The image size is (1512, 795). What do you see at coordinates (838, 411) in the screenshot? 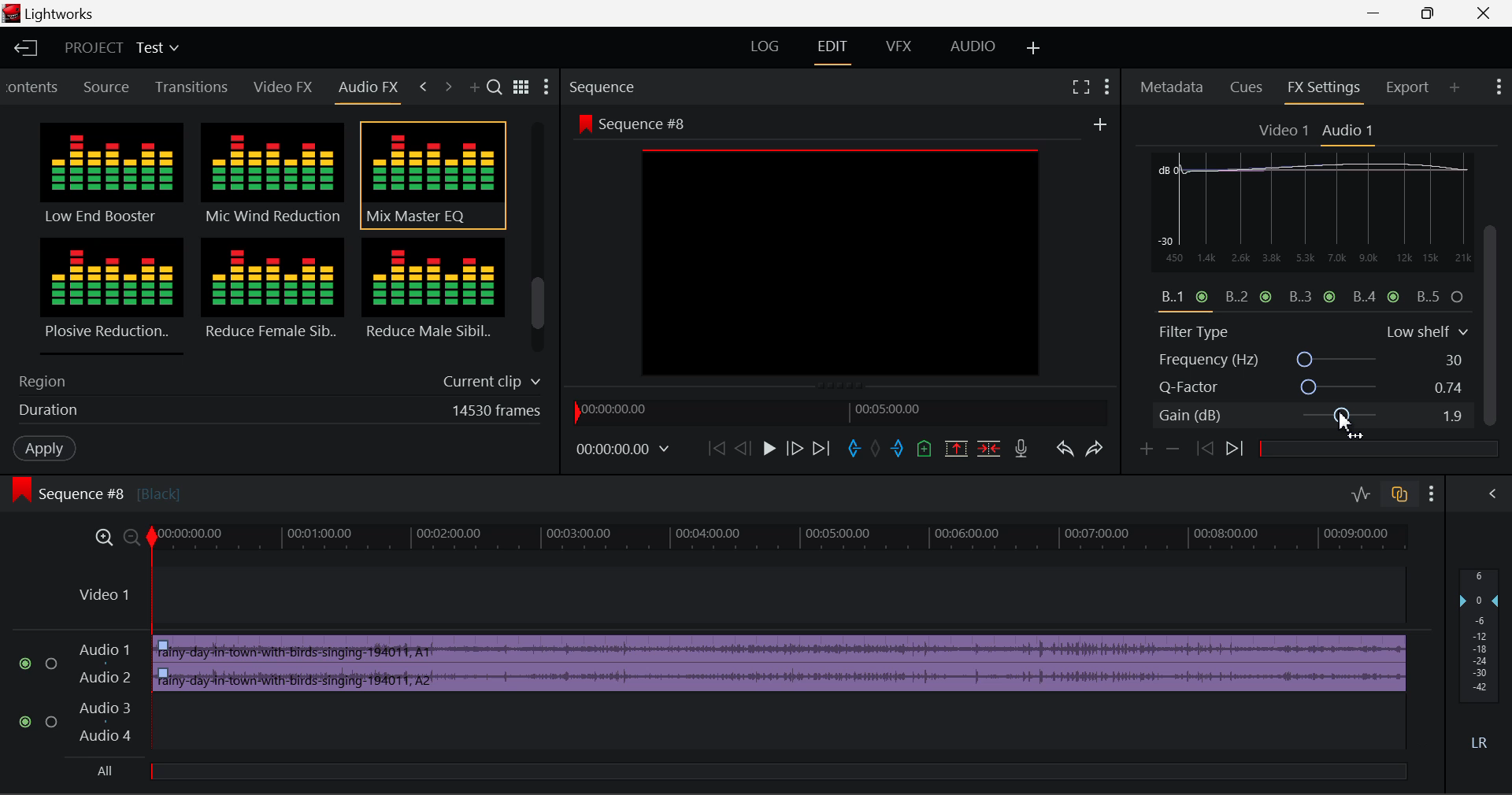
I see `Project Timeline Navigator` at bounding box center [838, 411].